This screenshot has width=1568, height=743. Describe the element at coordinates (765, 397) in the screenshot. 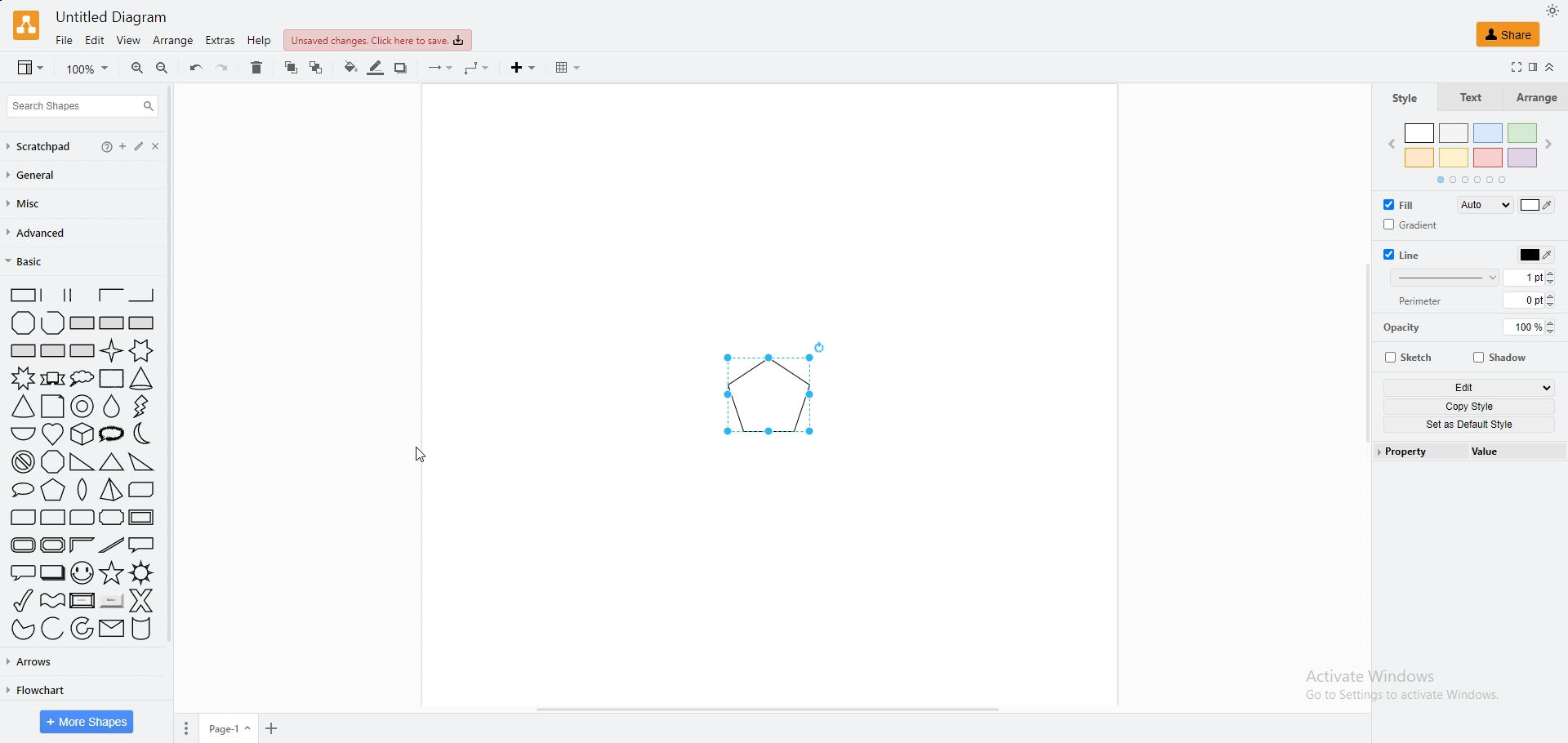

I see `pentagon` at that location.